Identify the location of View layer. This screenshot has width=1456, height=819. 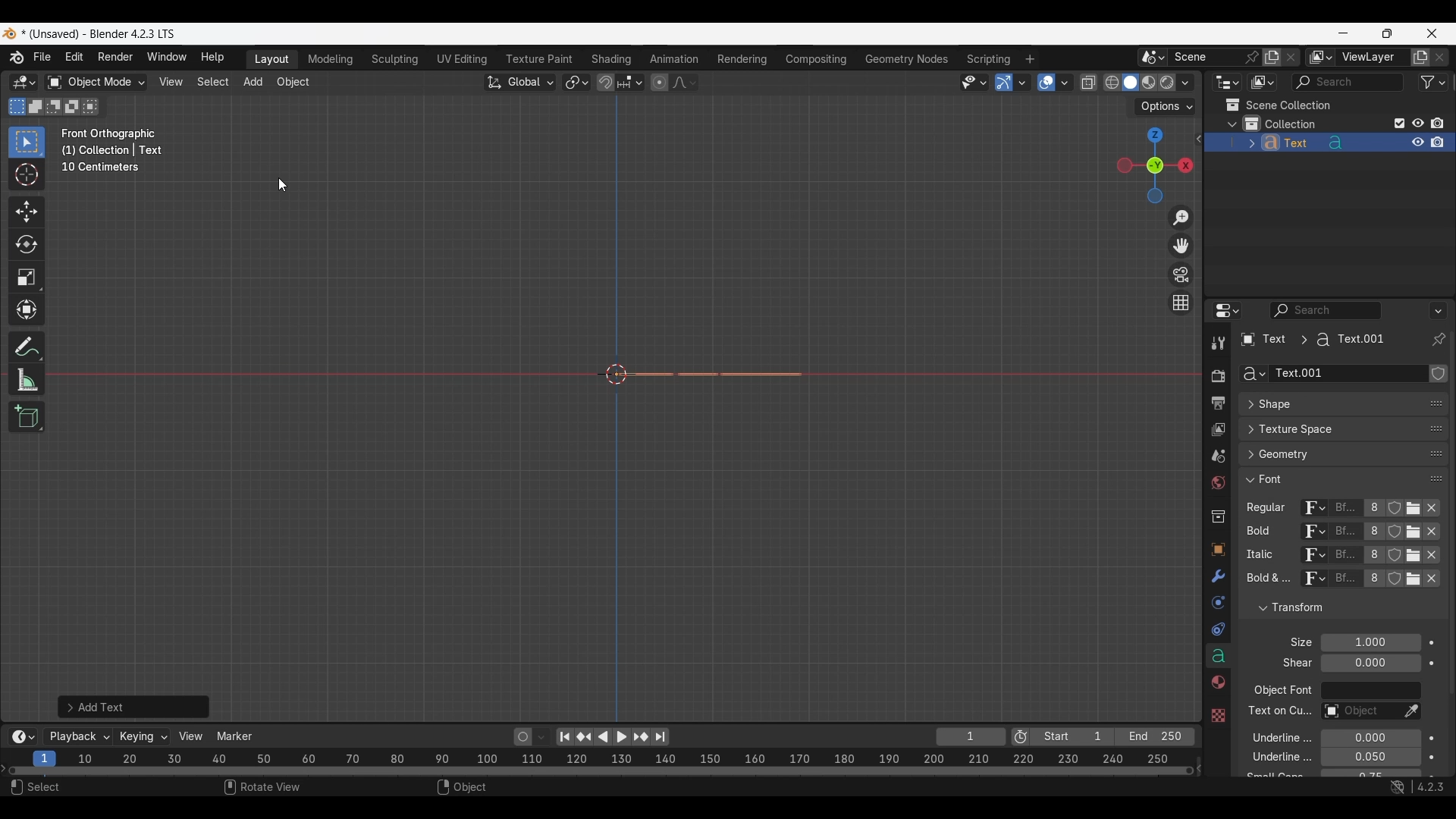
(1217, 431).